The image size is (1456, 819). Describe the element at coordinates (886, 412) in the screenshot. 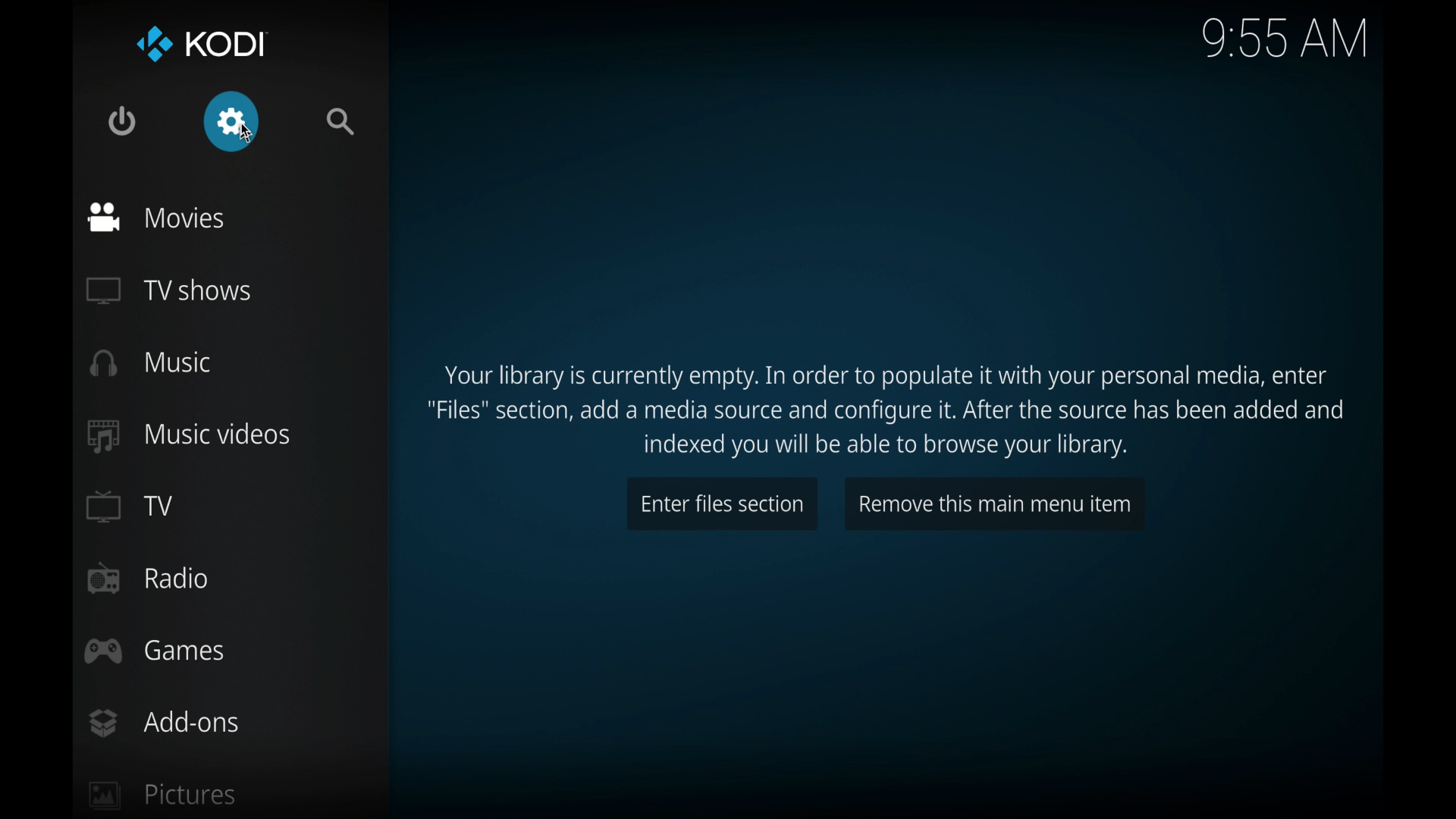

I see `info` at that location.